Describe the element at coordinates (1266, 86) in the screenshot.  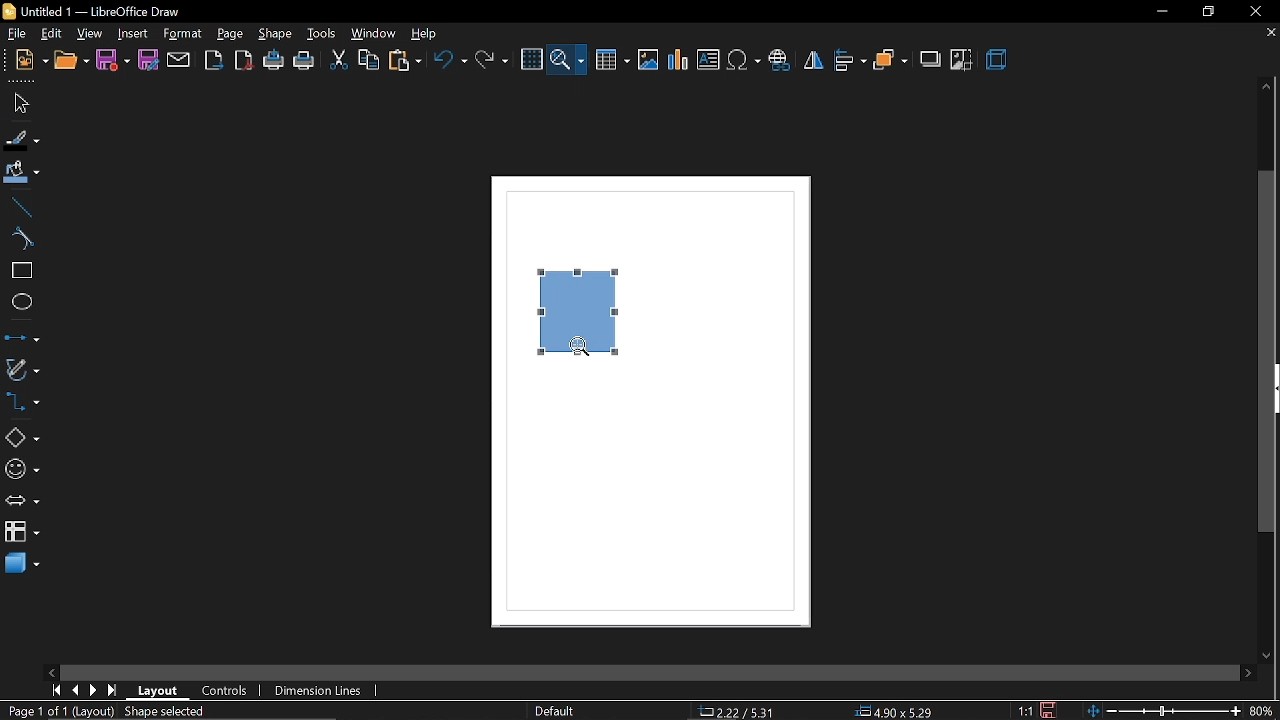
I see `move up` at that location.